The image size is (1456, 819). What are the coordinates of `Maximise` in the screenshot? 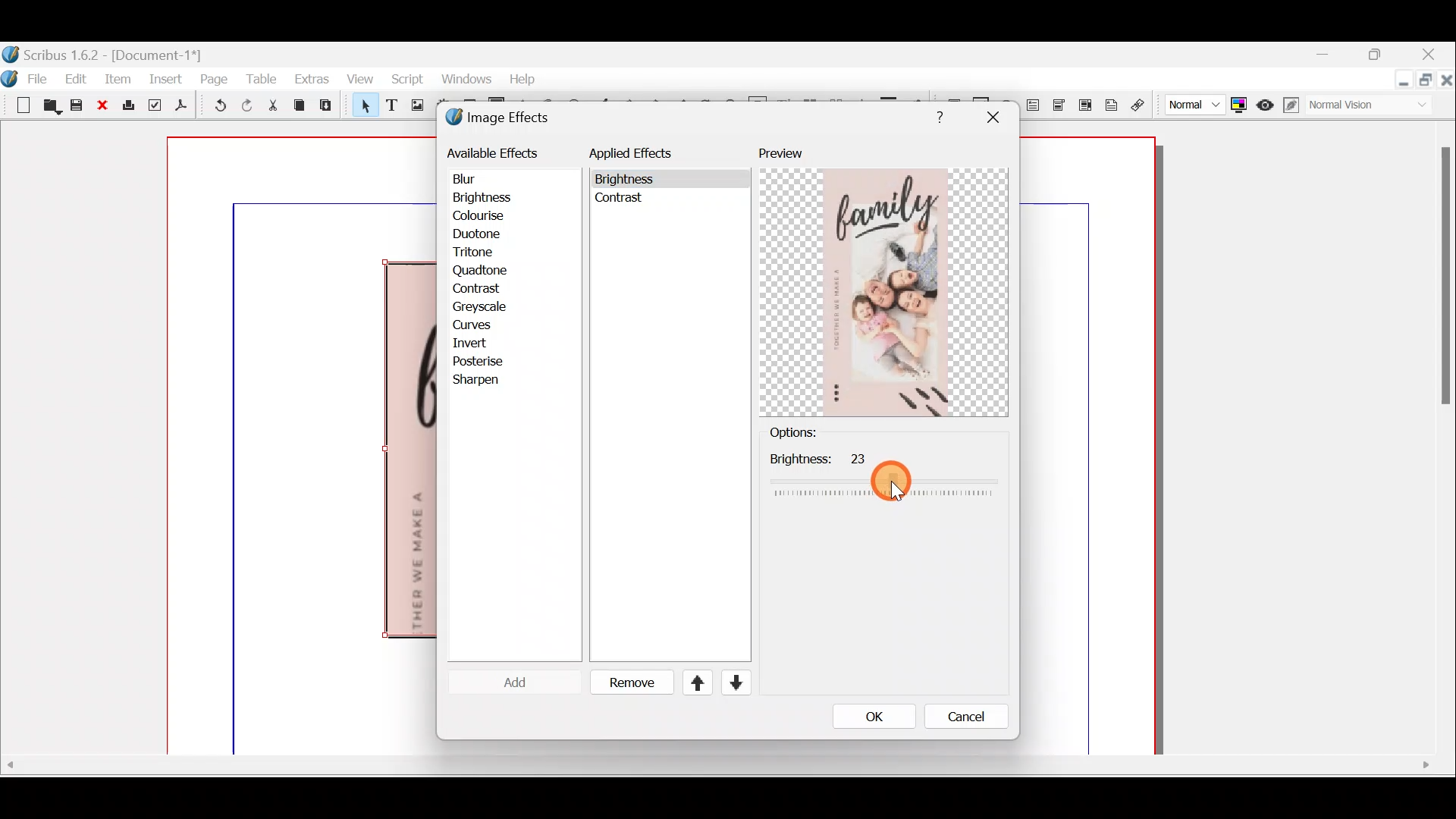 It's located at (1427, 83).